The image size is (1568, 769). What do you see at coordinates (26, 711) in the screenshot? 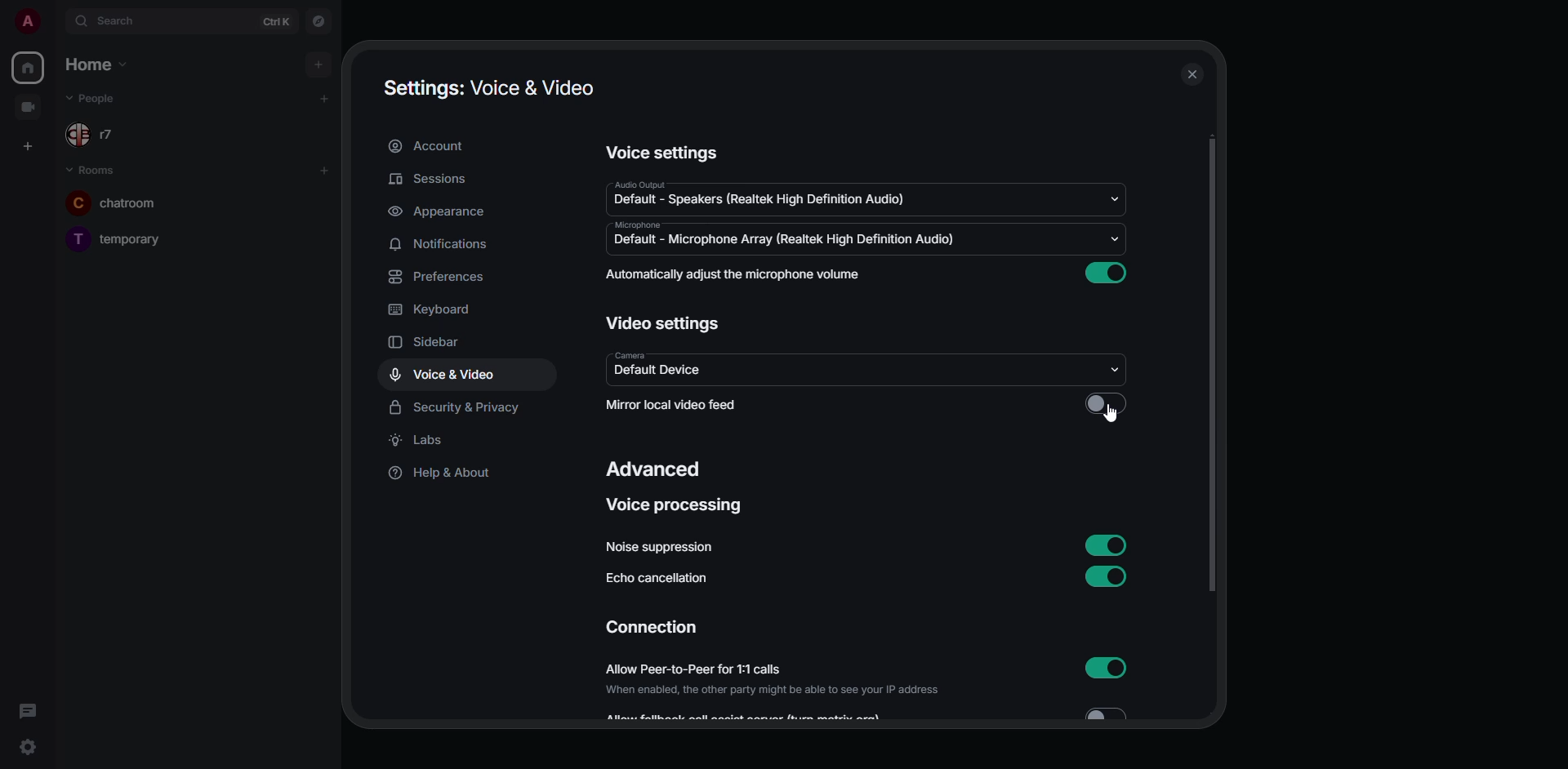
I see `threads` at bounding box center [26, 711].